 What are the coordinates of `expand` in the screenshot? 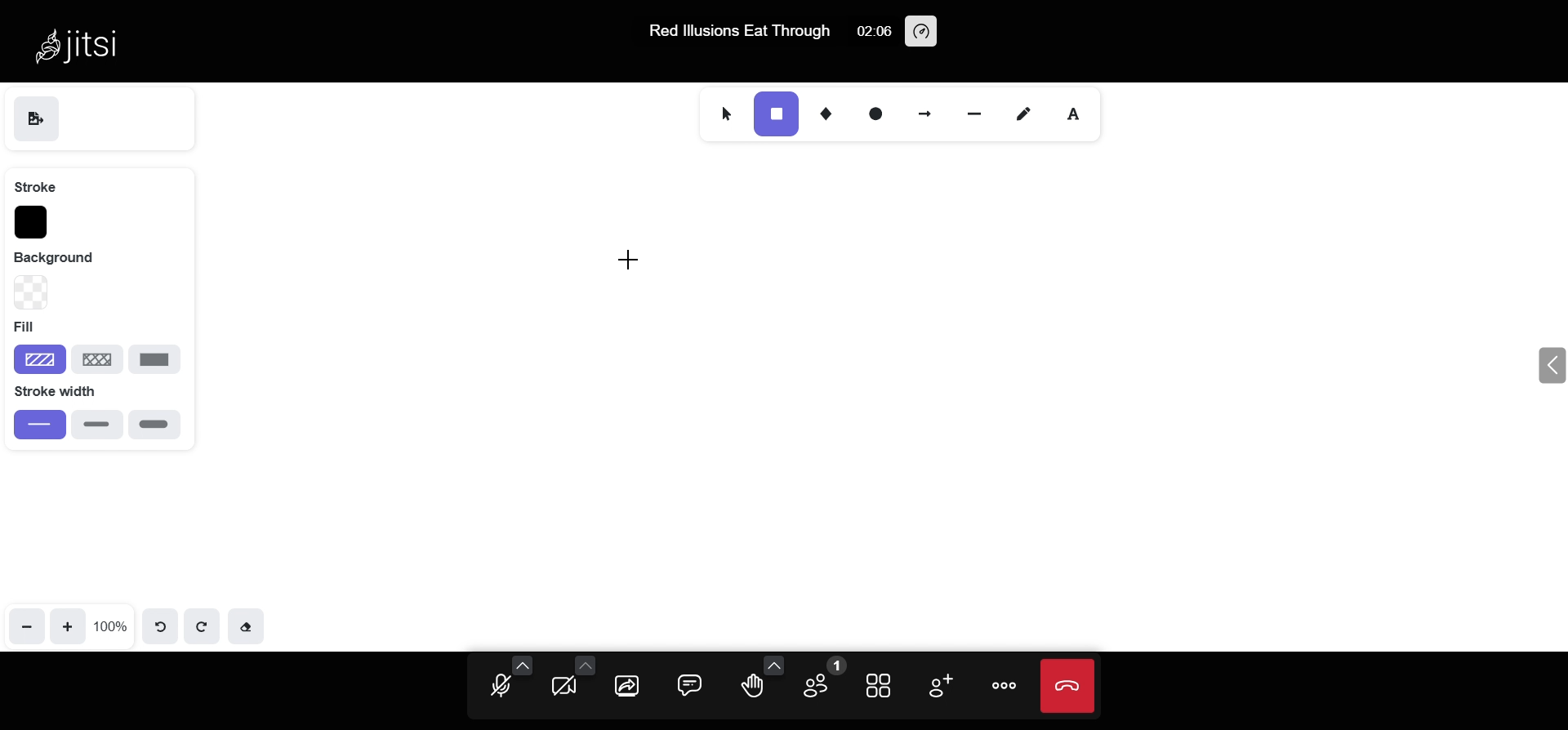 It's located at (1548, 367).